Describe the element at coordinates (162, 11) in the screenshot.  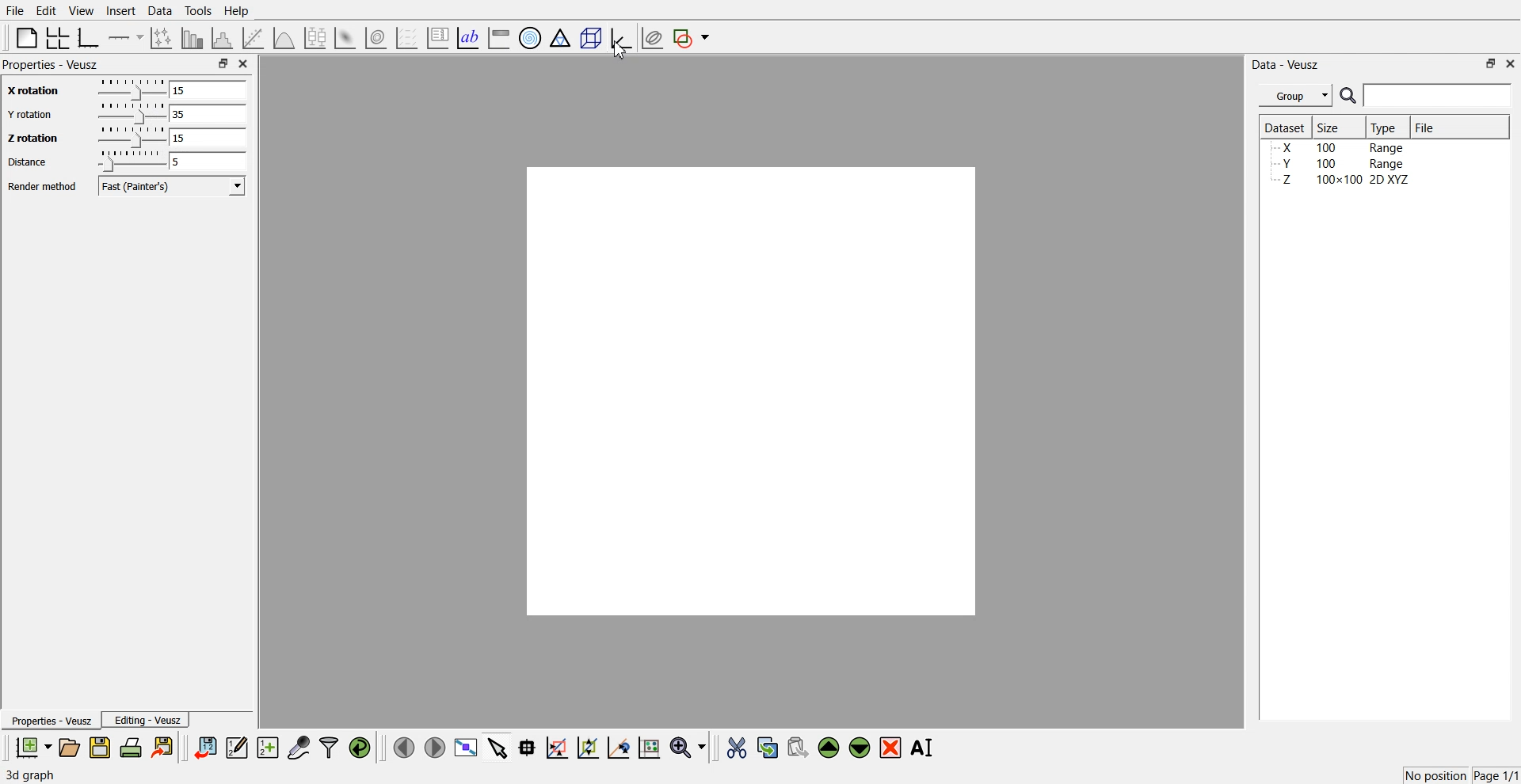
I see `Data` at that location.